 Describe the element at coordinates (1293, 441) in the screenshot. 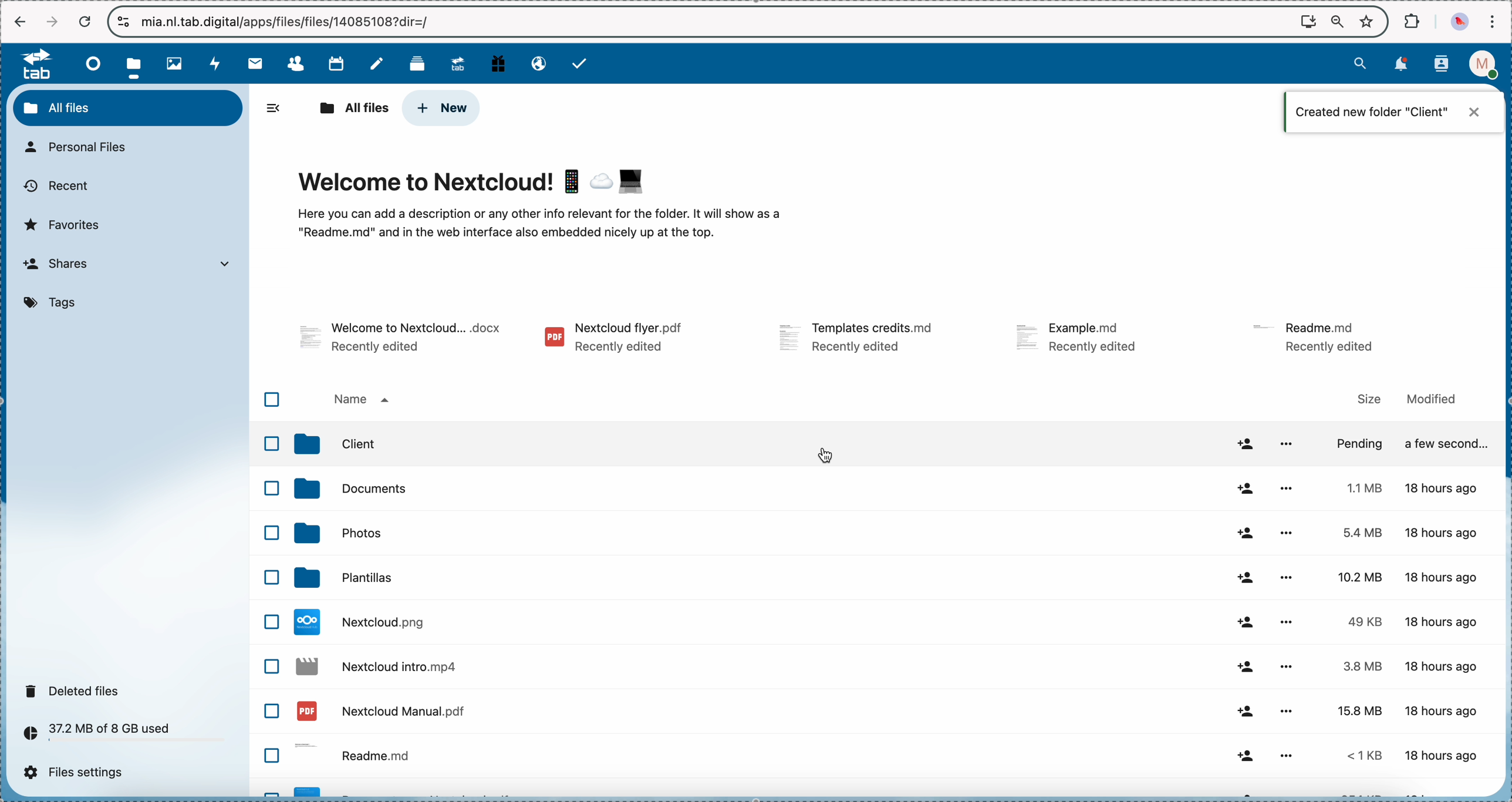

I see `more options` at that location.